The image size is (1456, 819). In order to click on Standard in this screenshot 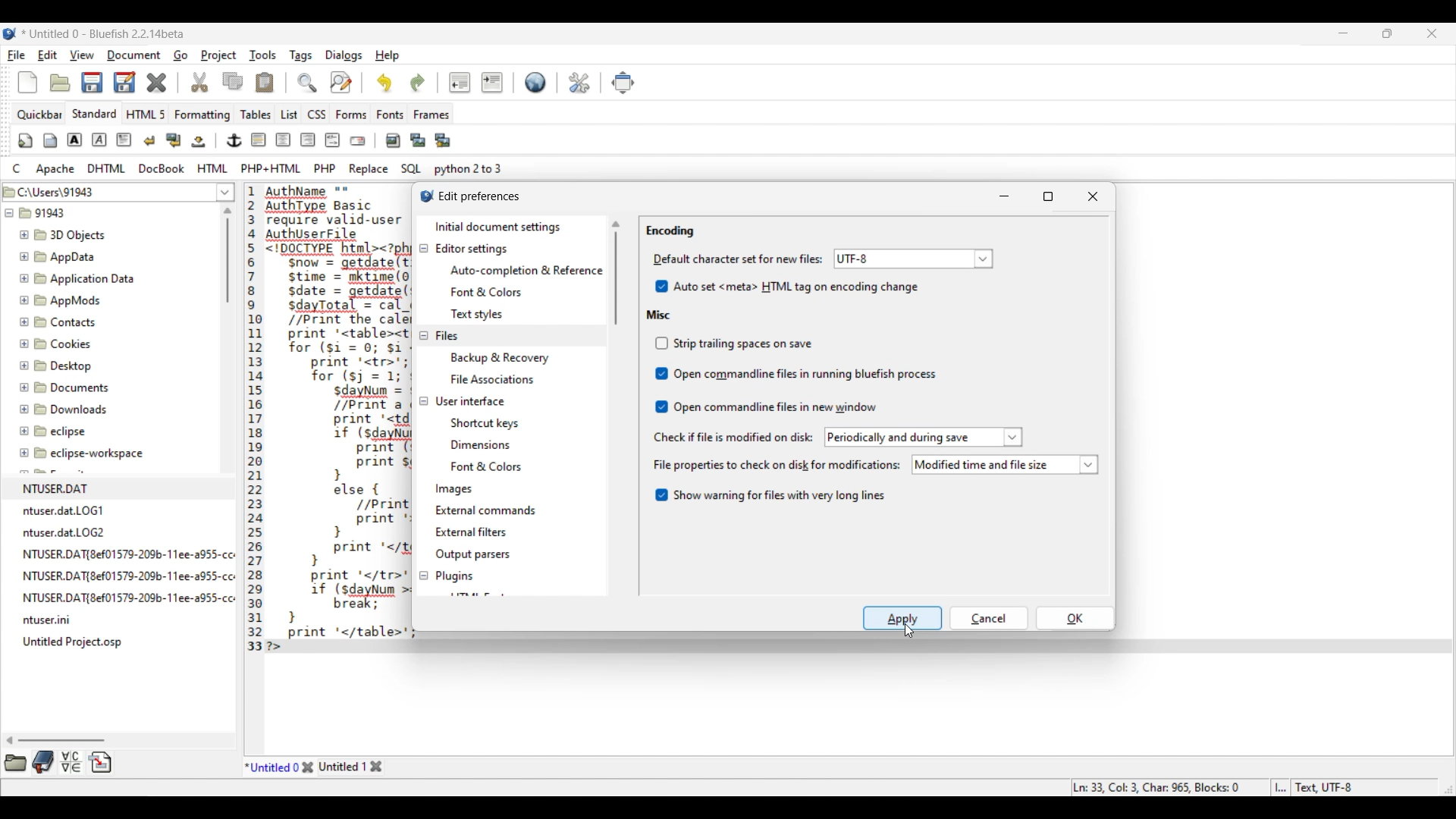, I will do `click(95, 114)`.